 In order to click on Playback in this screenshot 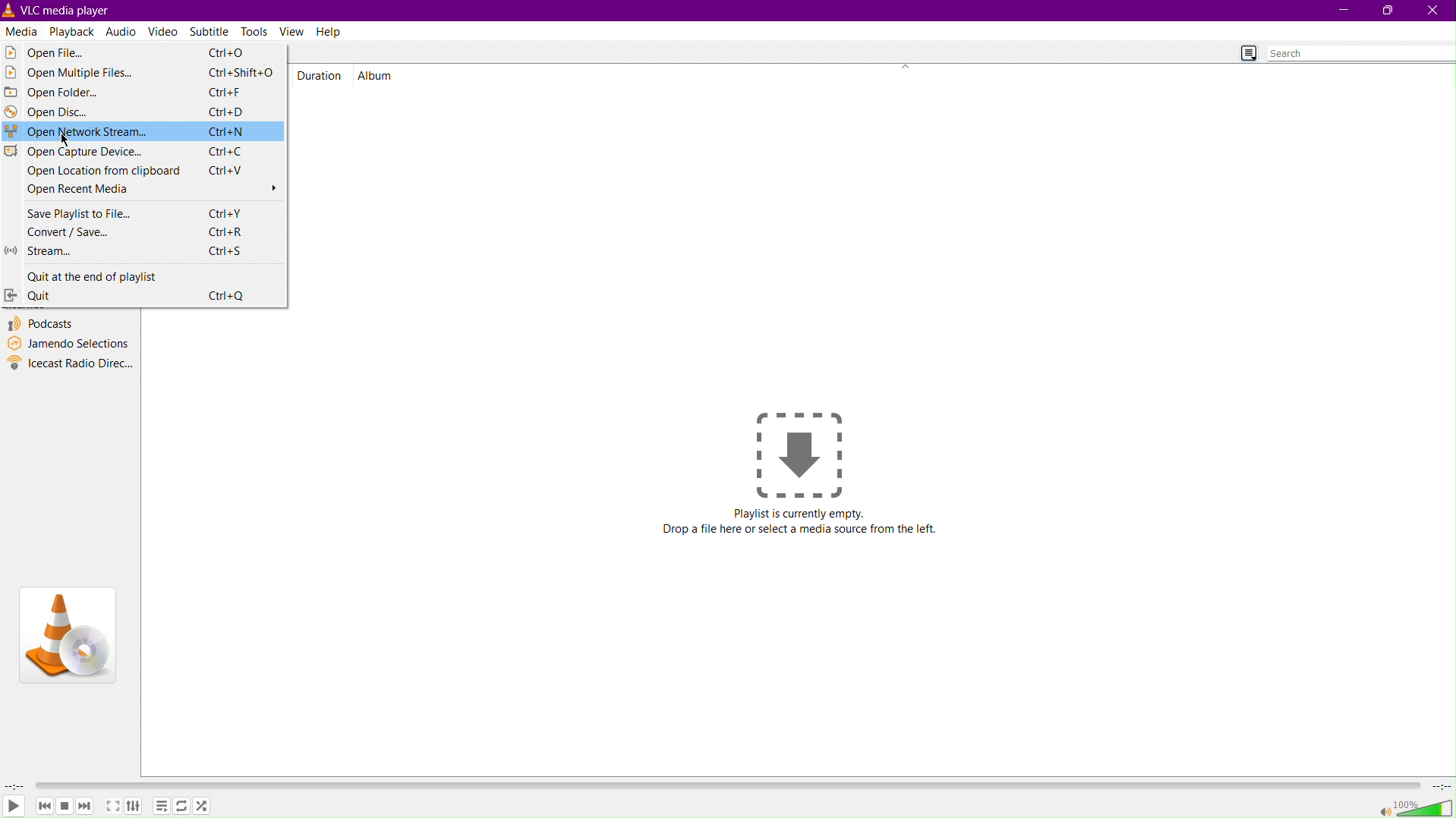, I will do `click(73, 32)`.